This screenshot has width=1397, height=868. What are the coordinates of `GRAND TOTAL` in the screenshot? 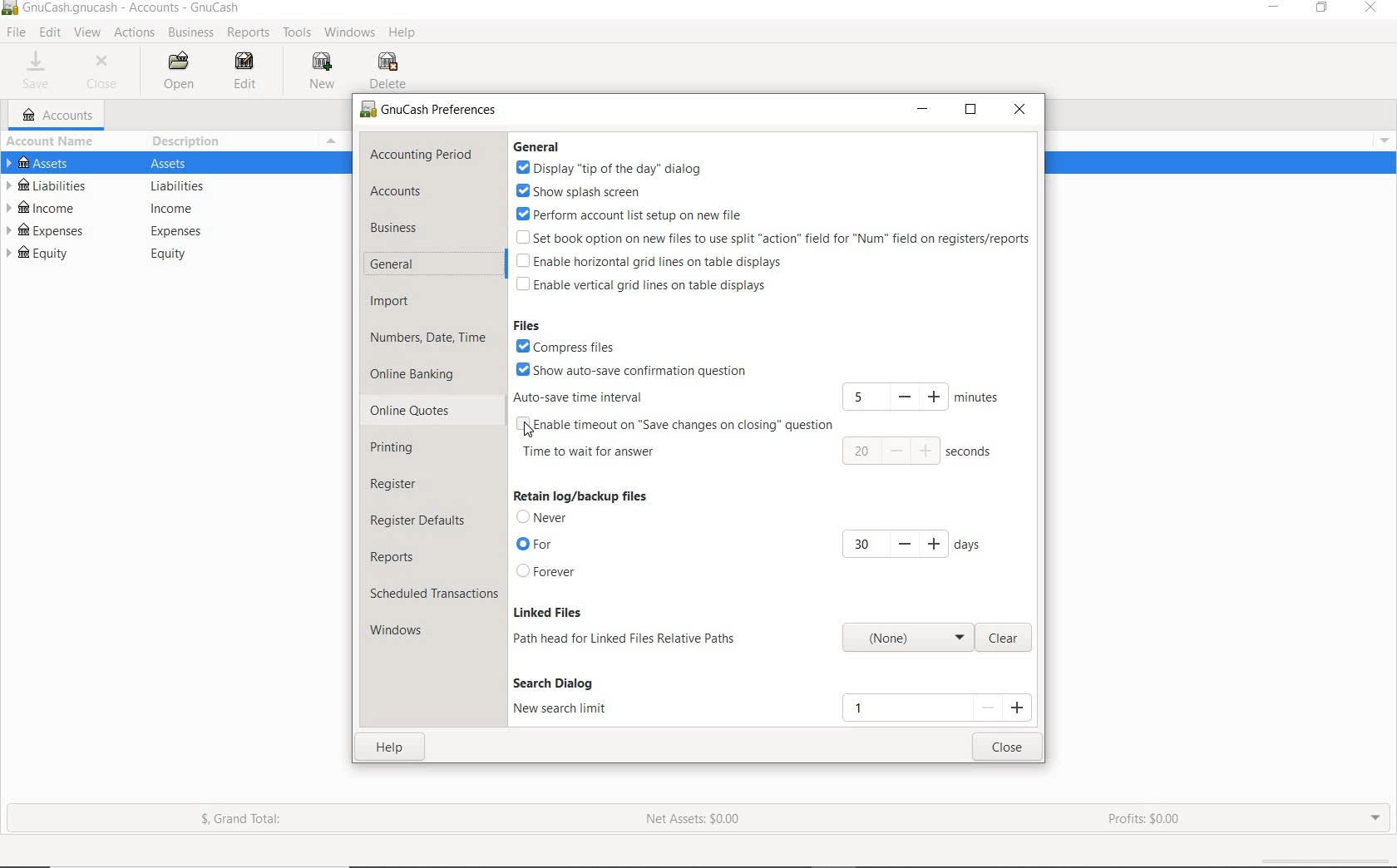 It's located at (241, 820).